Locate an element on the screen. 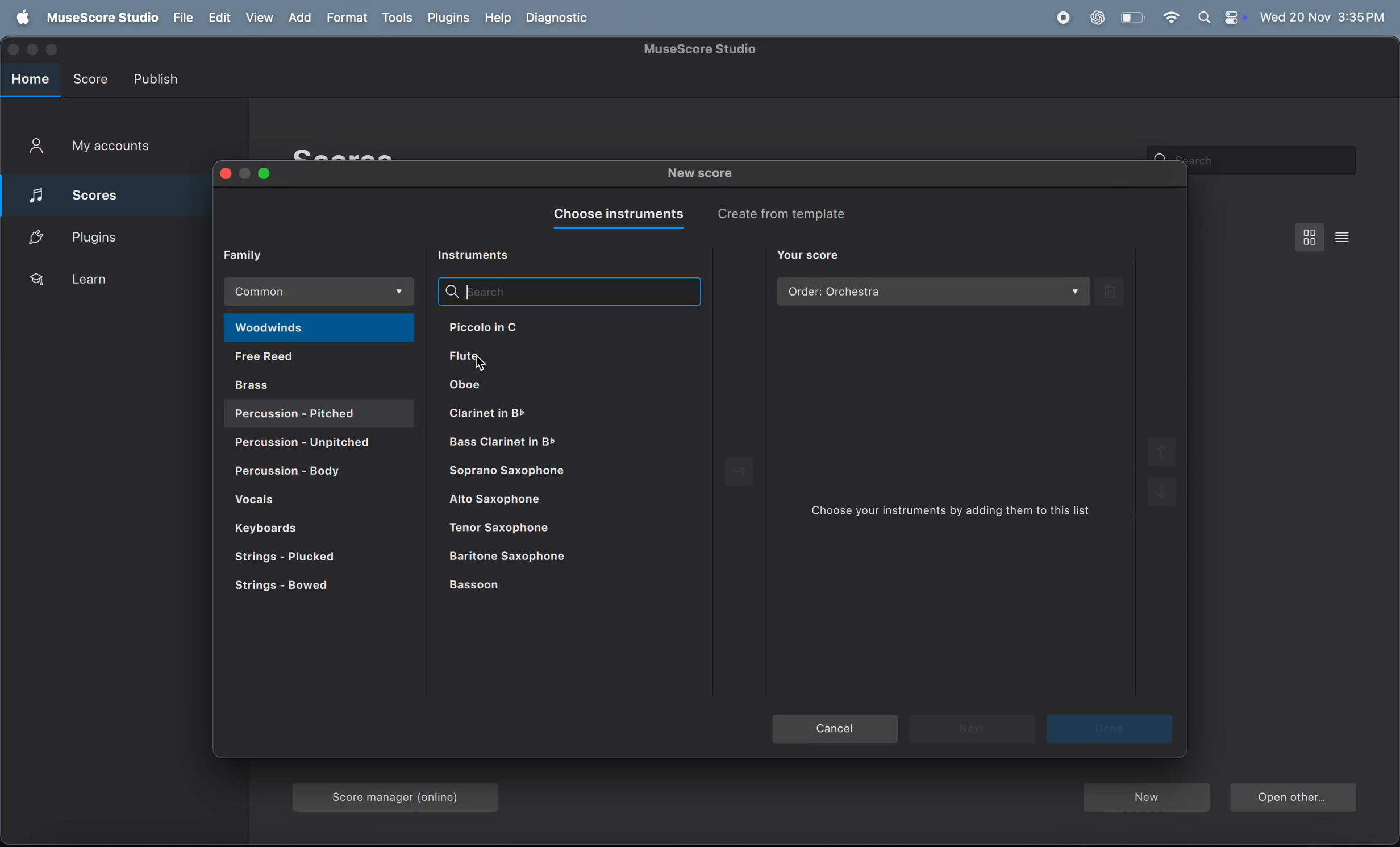 Image resolution: width=1400 pixels, height=847 pixels. keyboard is located at coordinates (297, 527).